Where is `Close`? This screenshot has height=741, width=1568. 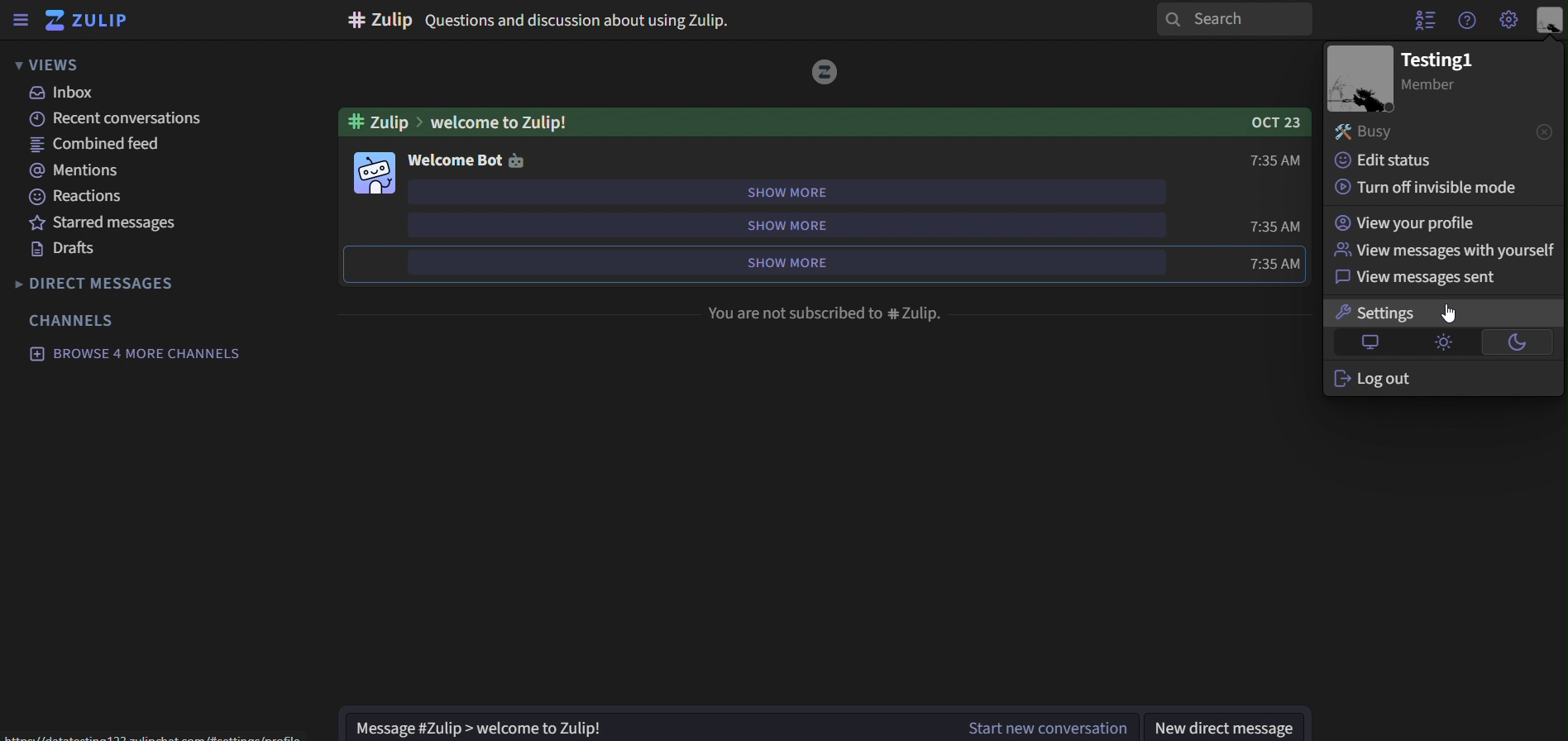
Close is located at coordinates (1531, 133).